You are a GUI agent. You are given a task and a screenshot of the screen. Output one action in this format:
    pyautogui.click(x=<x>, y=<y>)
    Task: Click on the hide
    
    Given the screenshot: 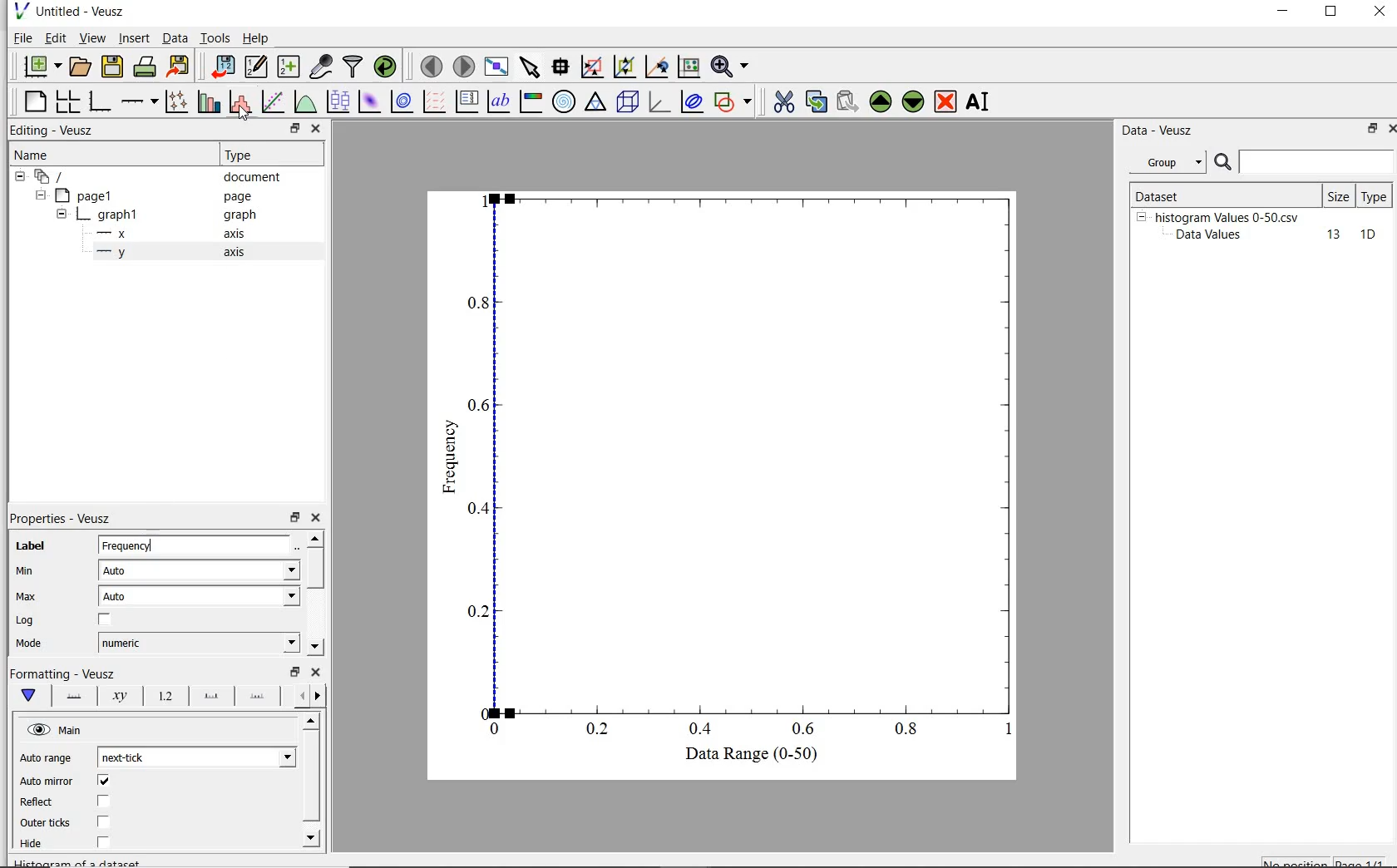 What is the action you would take?
    pyautogui.click(x=62, y=215)
    